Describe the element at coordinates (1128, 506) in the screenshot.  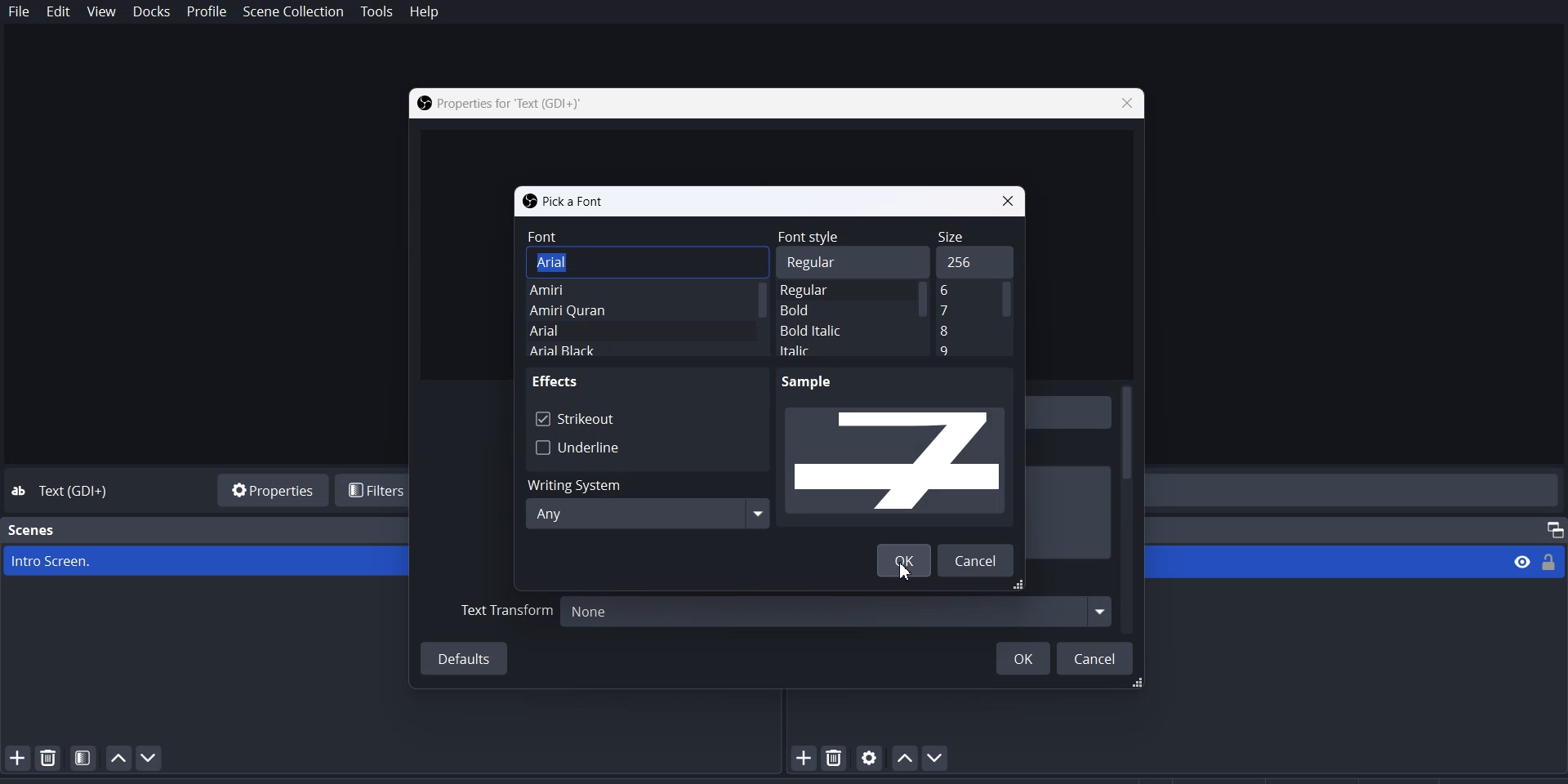
I see `Vertical Scroll bar` at that location.